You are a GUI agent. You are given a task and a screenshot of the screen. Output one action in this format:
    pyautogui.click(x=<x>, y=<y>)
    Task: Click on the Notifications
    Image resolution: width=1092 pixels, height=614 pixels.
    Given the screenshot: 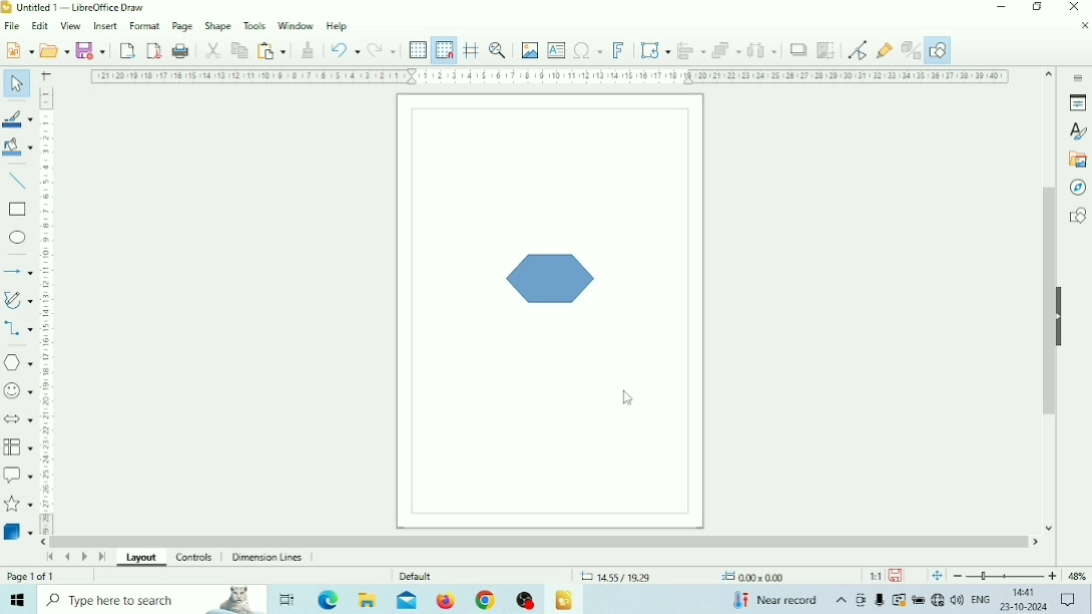 What is the action you would take?
    pyautogui.click(x=1067, y=600)
    